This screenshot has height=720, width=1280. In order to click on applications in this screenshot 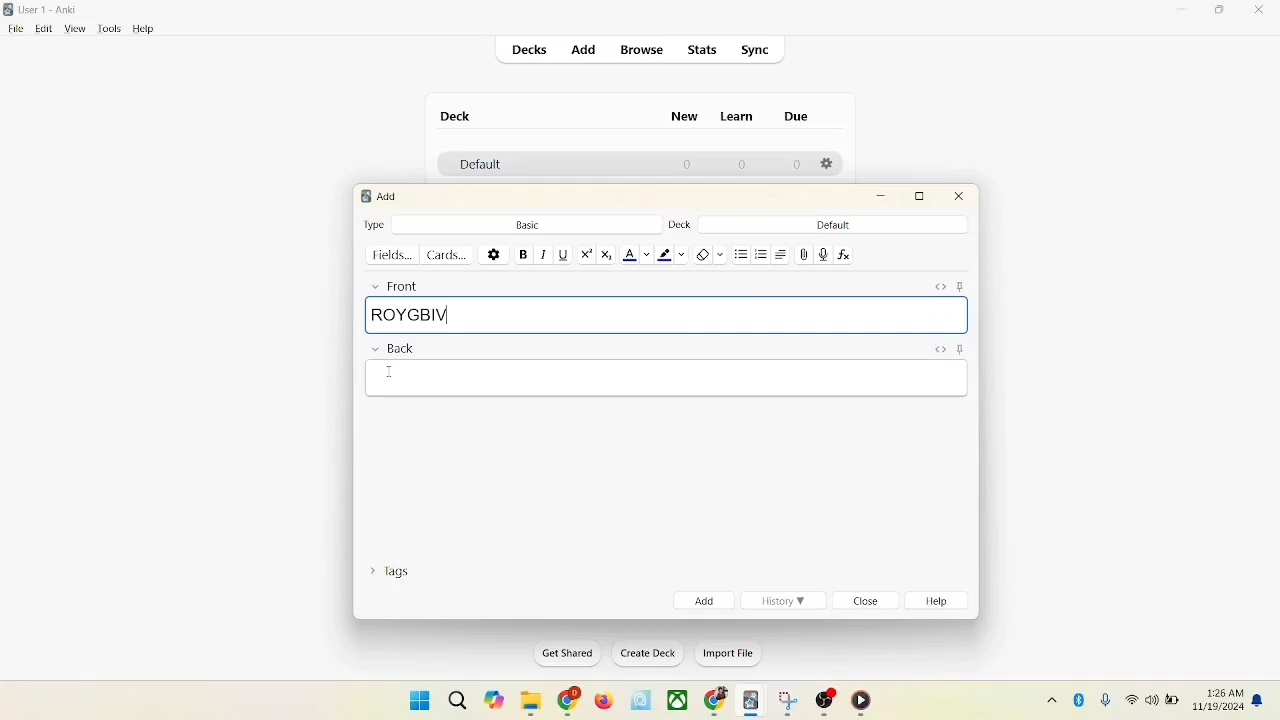, I will do `click(678, 701)`.